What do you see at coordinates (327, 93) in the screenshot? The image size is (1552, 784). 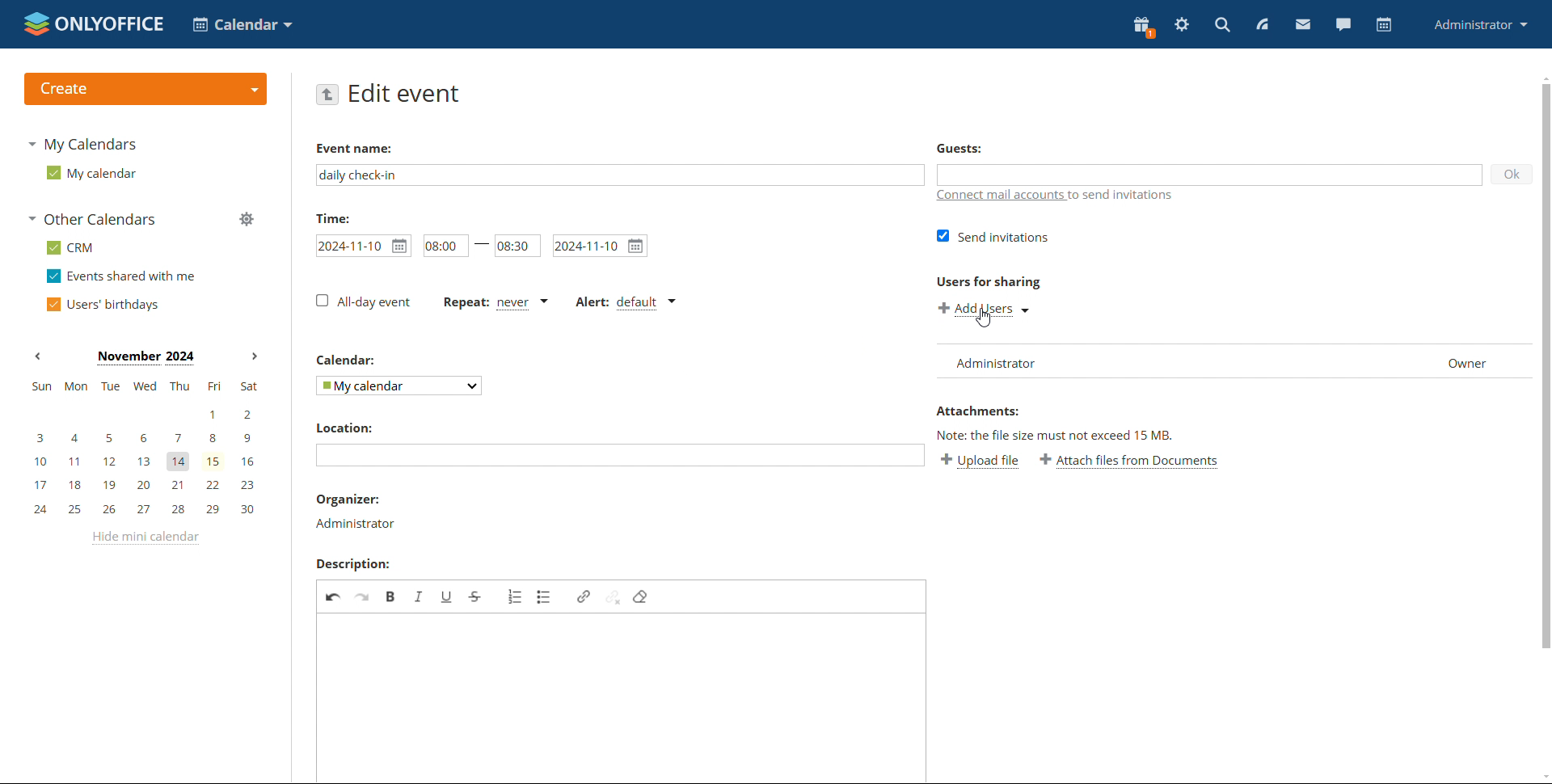 I see `go back` at bounding box center [327, 93].